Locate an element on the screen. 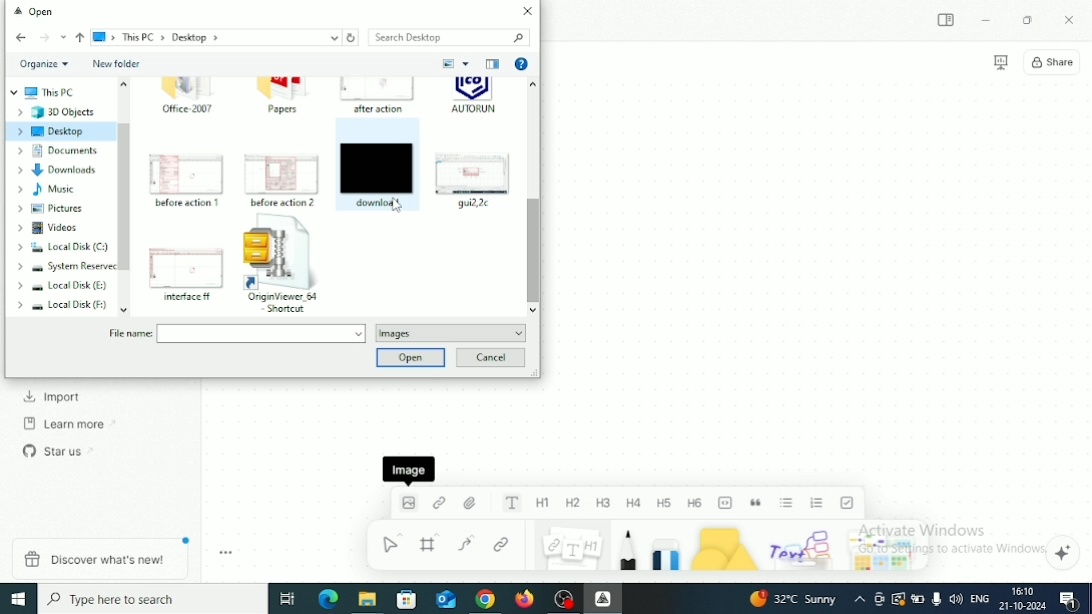 The height and width of the screenshot is (614, 1092). Vertical scrollbar is located at coordinates (533, 249).